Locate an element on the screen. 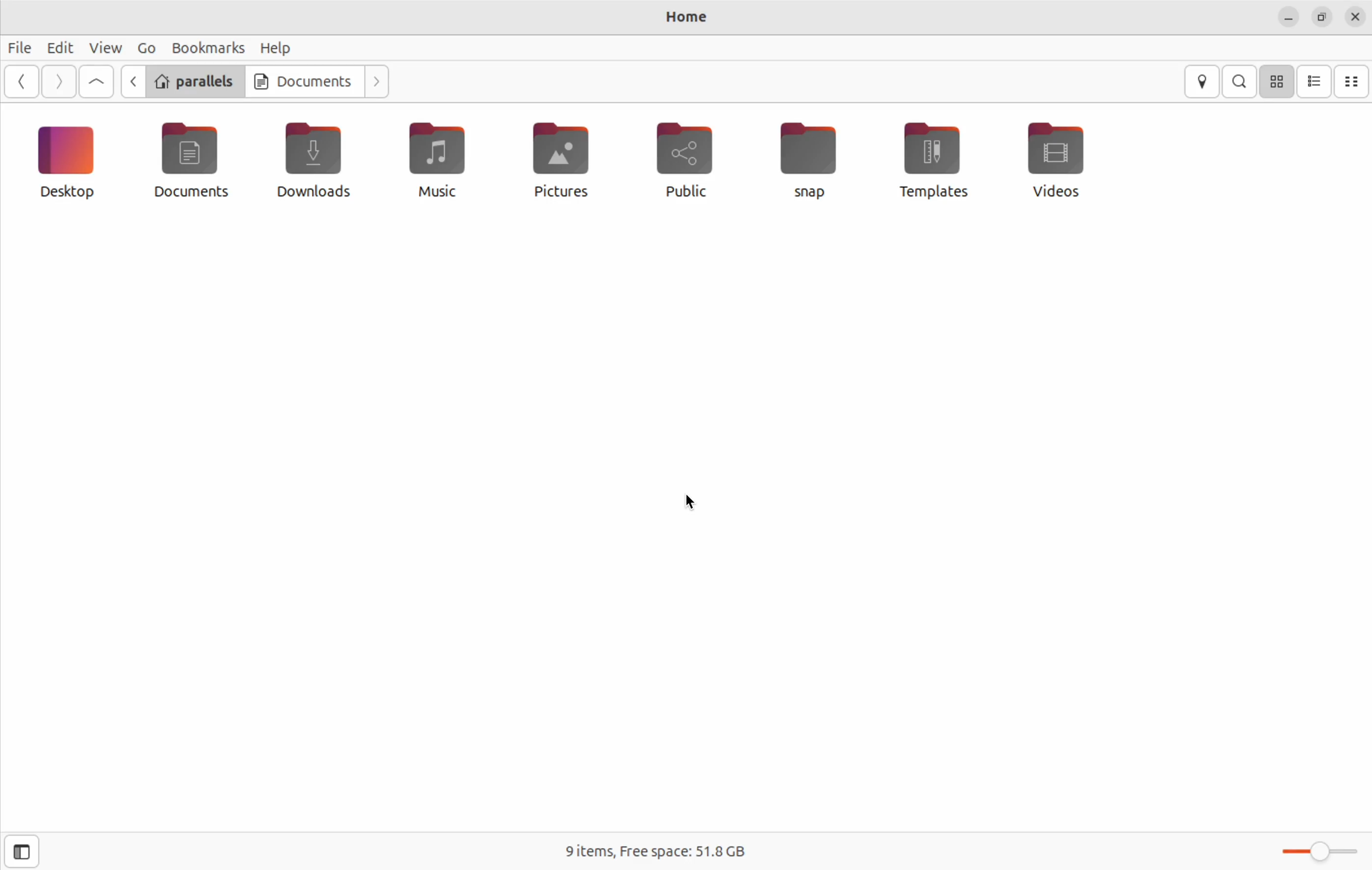  forward is located at coordinates (62, 81).